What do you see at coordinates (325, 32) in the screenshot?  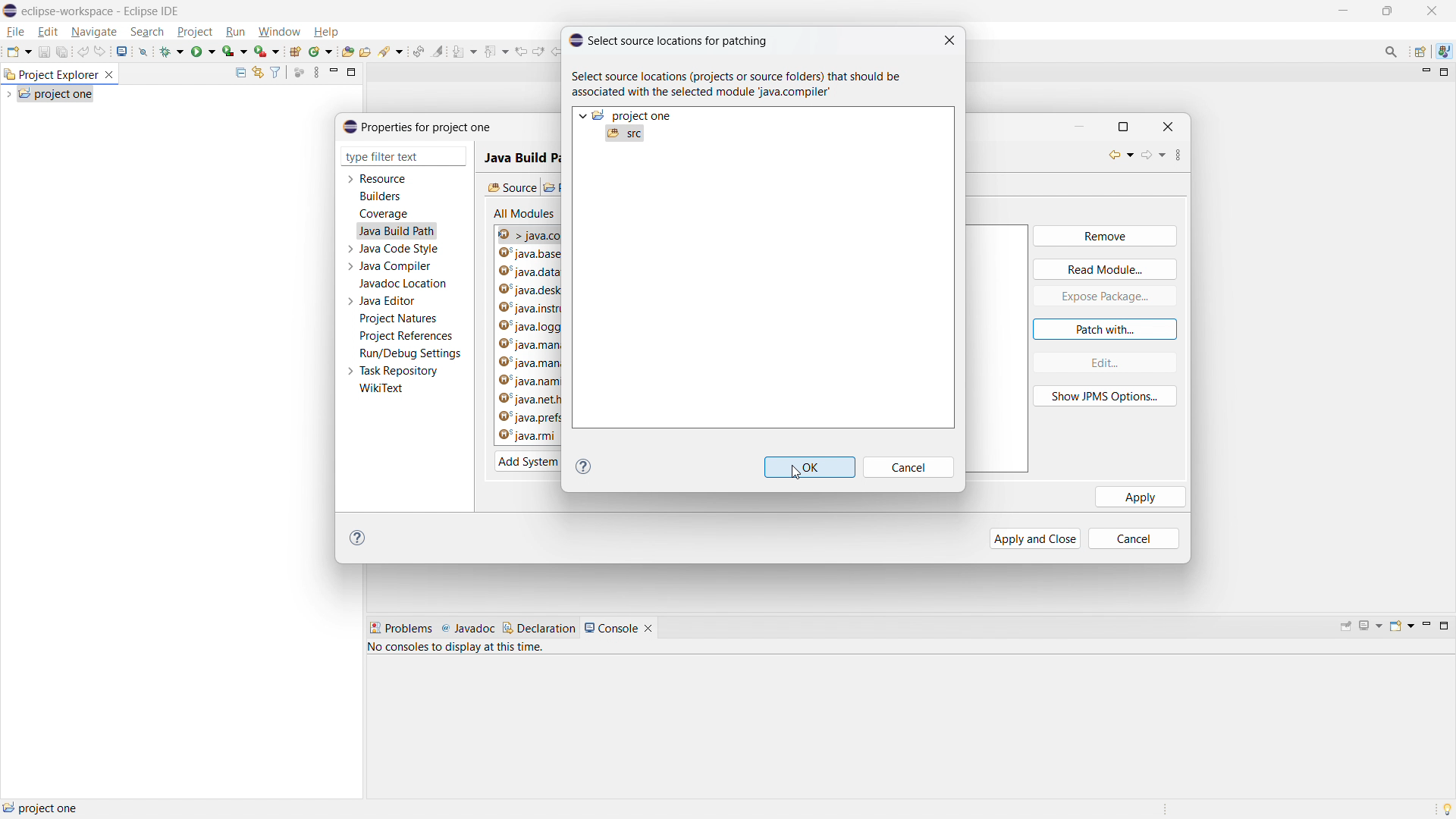 I see `help` at bounding box center [325, 32].